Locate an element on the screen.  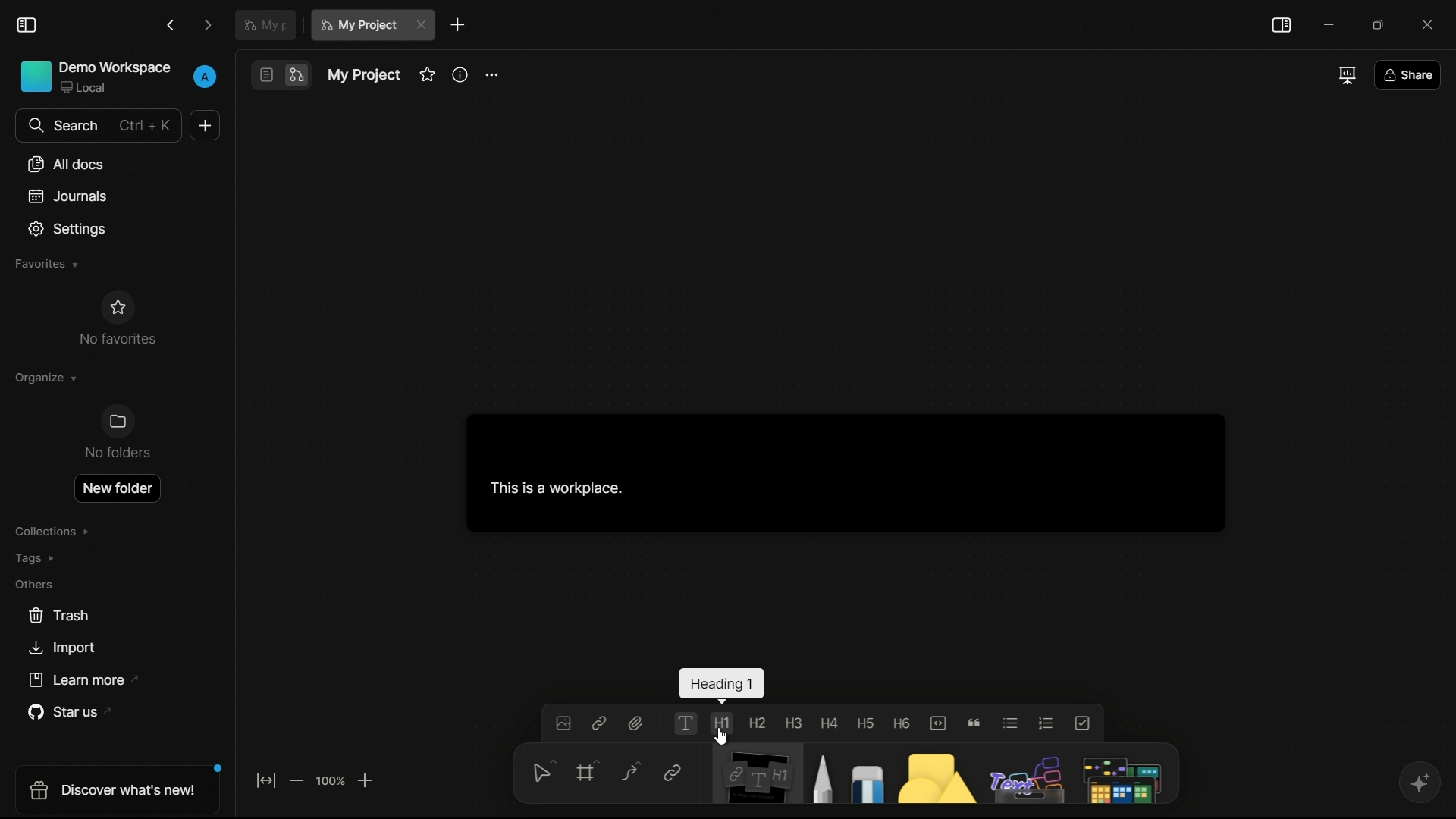
document name is located at coordinates (364, 76).